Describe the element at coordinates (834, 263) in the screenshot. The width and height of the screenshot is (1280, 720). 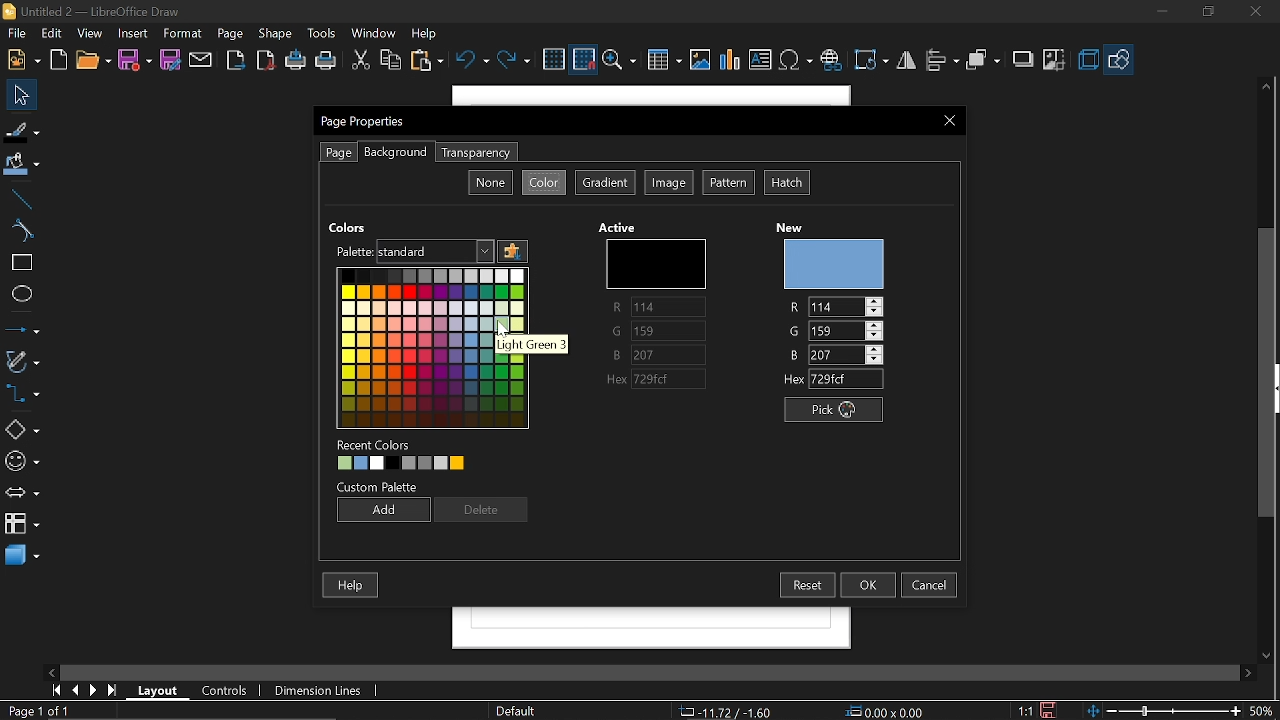
I see `New` at that location.